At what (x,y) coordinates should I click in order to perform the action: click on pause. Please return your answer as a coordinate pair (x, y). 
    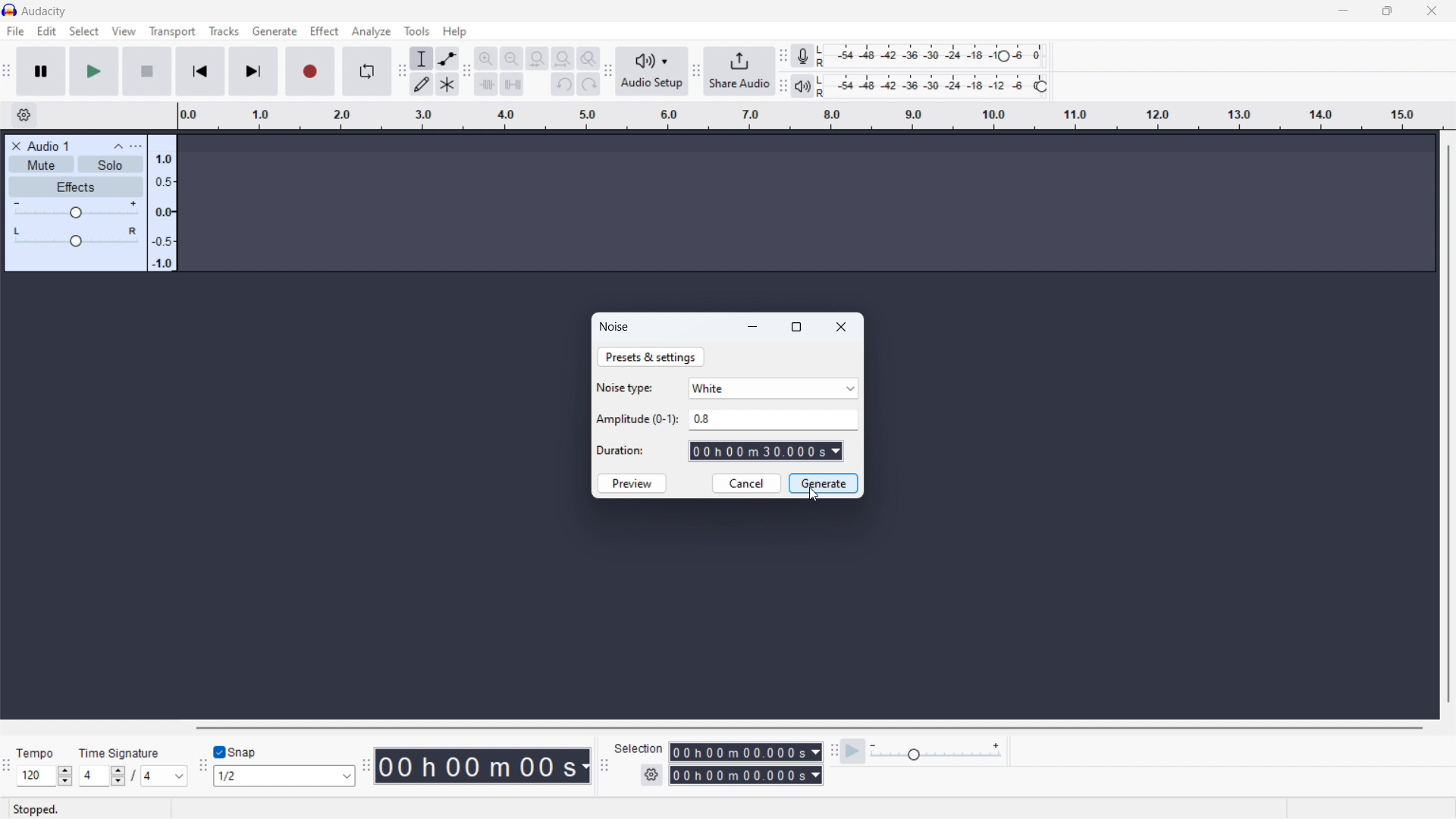
    Looking at the image, I should click on (41, 71).